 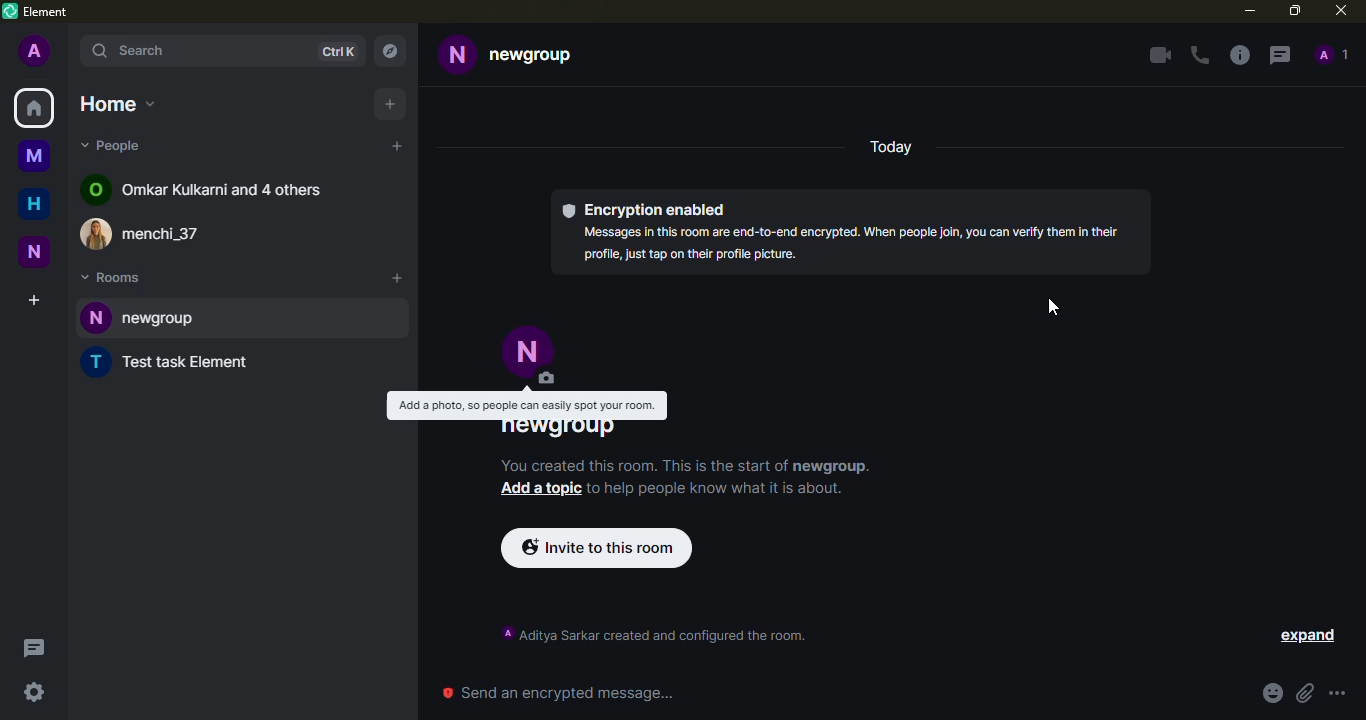 I want to click on Profile initials, so click(x=95, y=189).